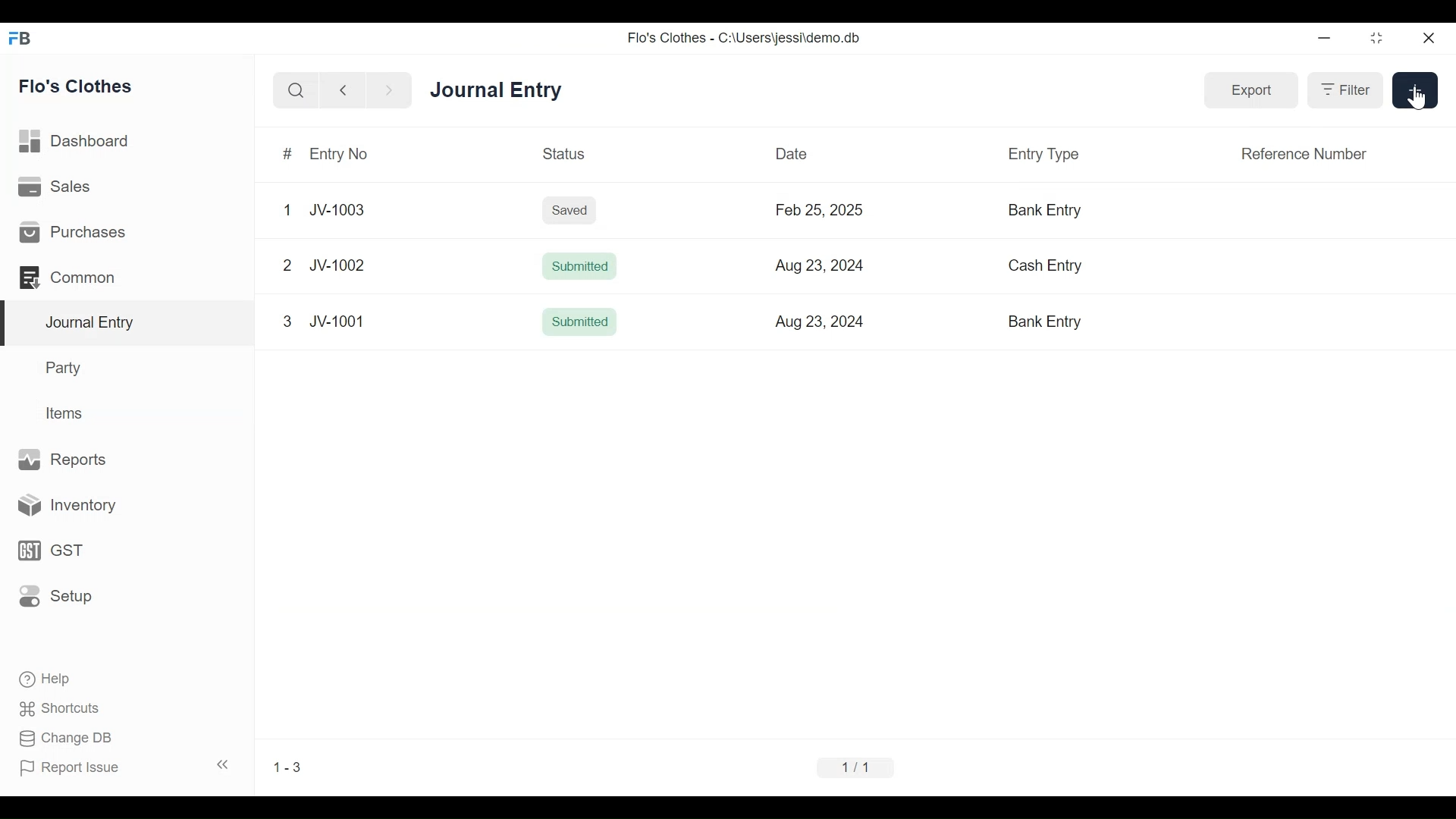 The height and width of the screenshot is (819, 1456). I want to click on Frappe Books Desktop Icon, so click(20, 39).